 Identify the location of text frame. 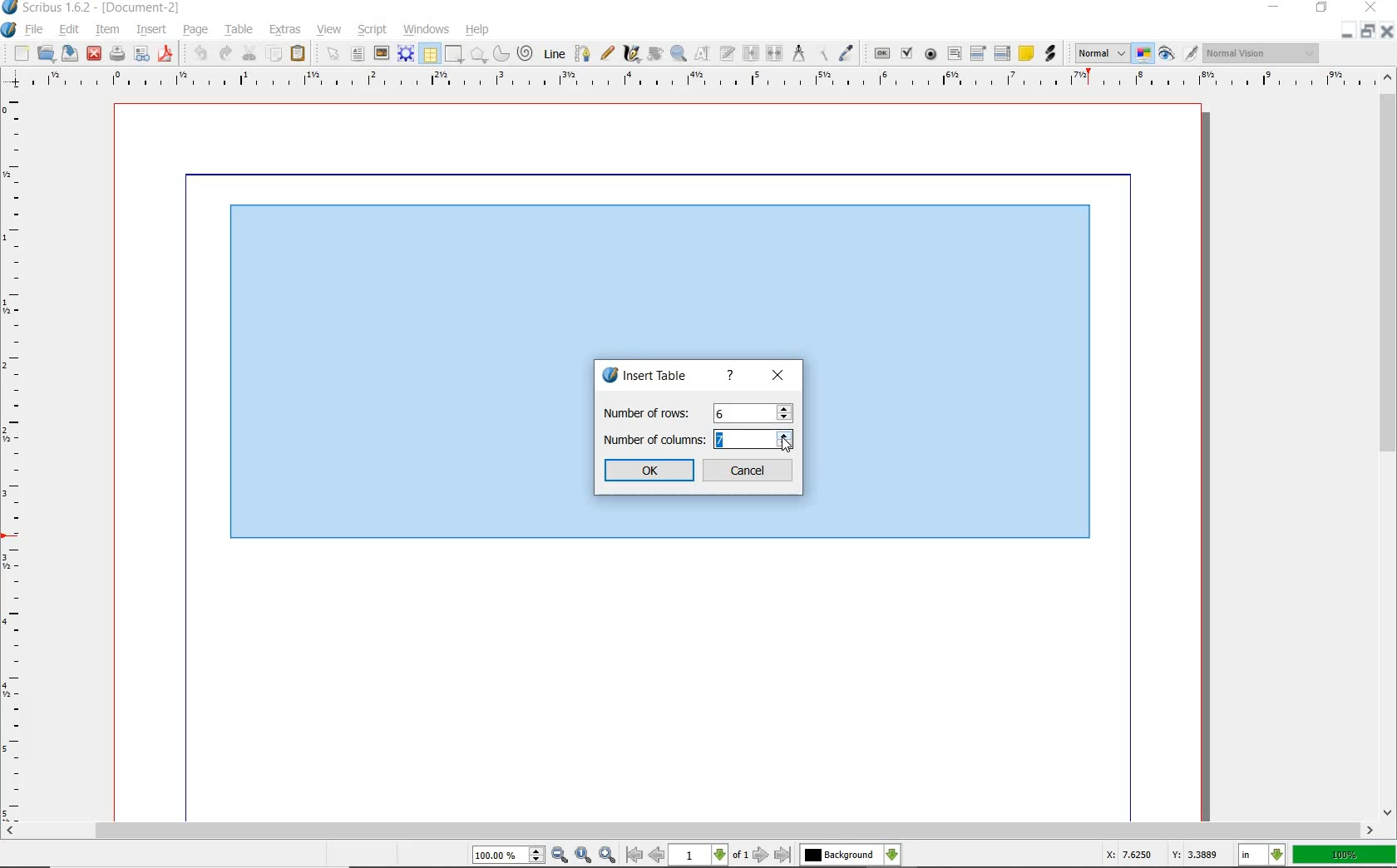
(358, 53).